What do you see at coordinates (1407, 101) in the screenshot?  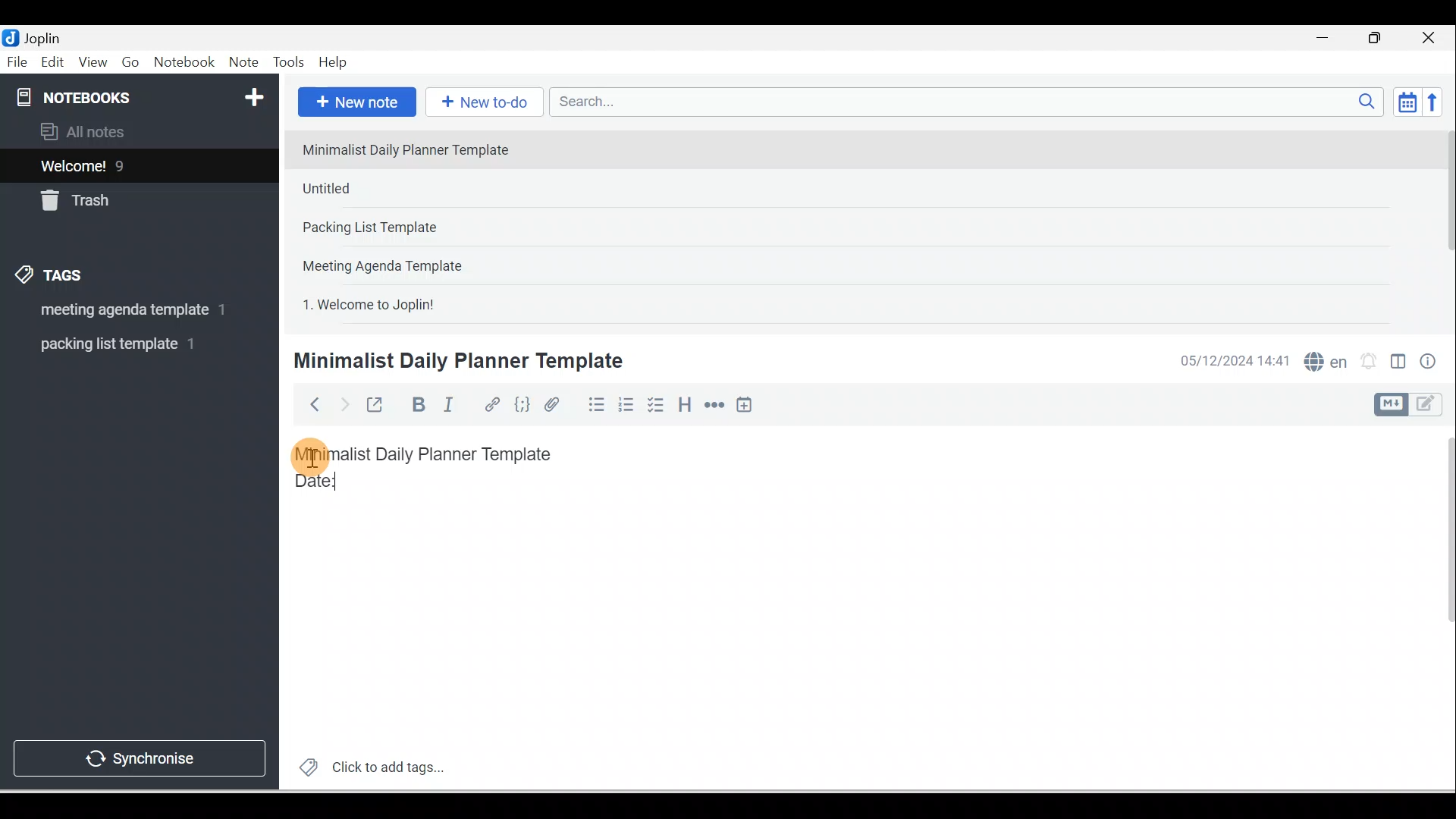 I see `Toggle sort order` at bounding box center [1407, 101].